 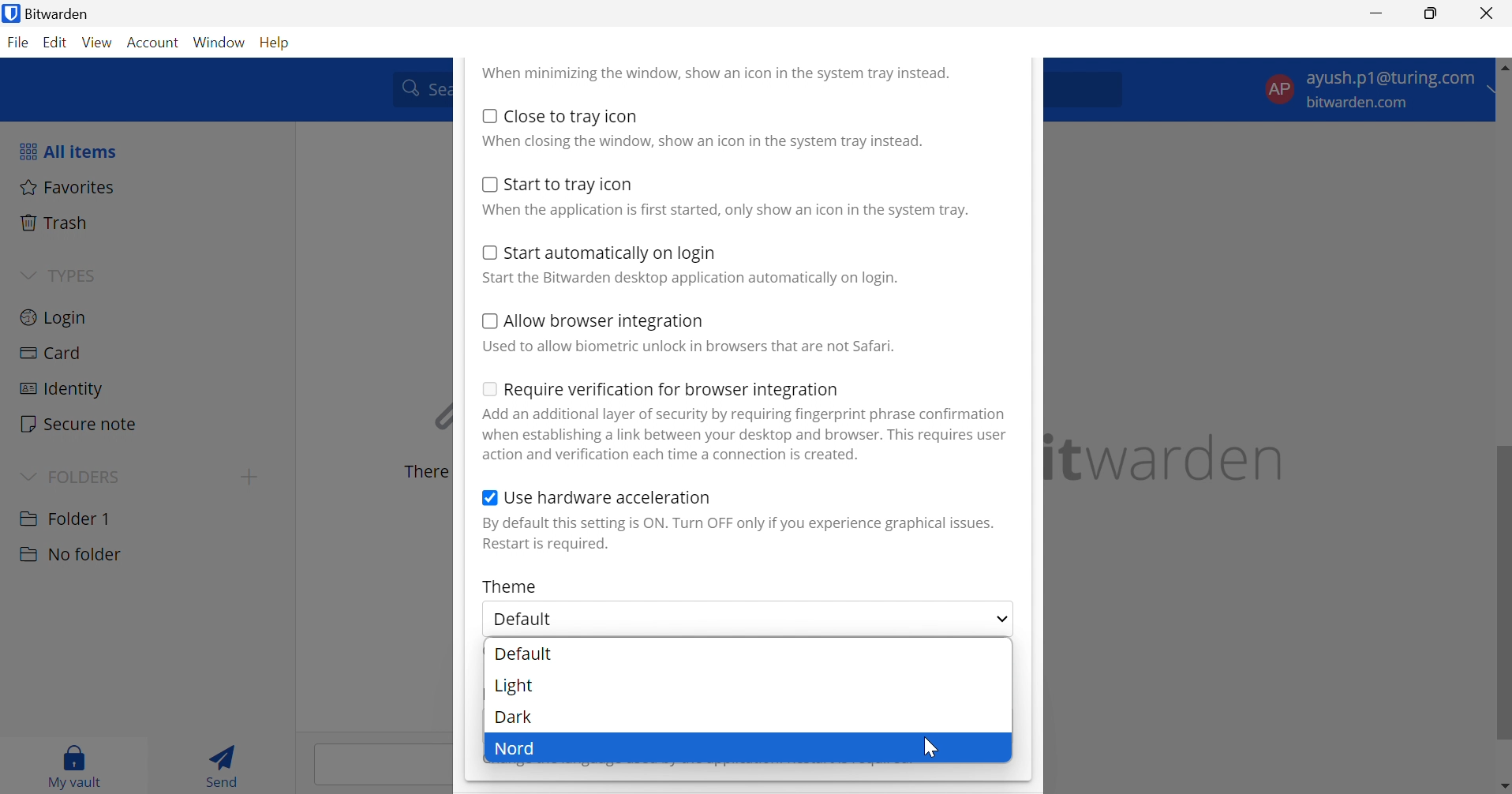 I want to click on Start to tray icon, so click(x=571, y=185).